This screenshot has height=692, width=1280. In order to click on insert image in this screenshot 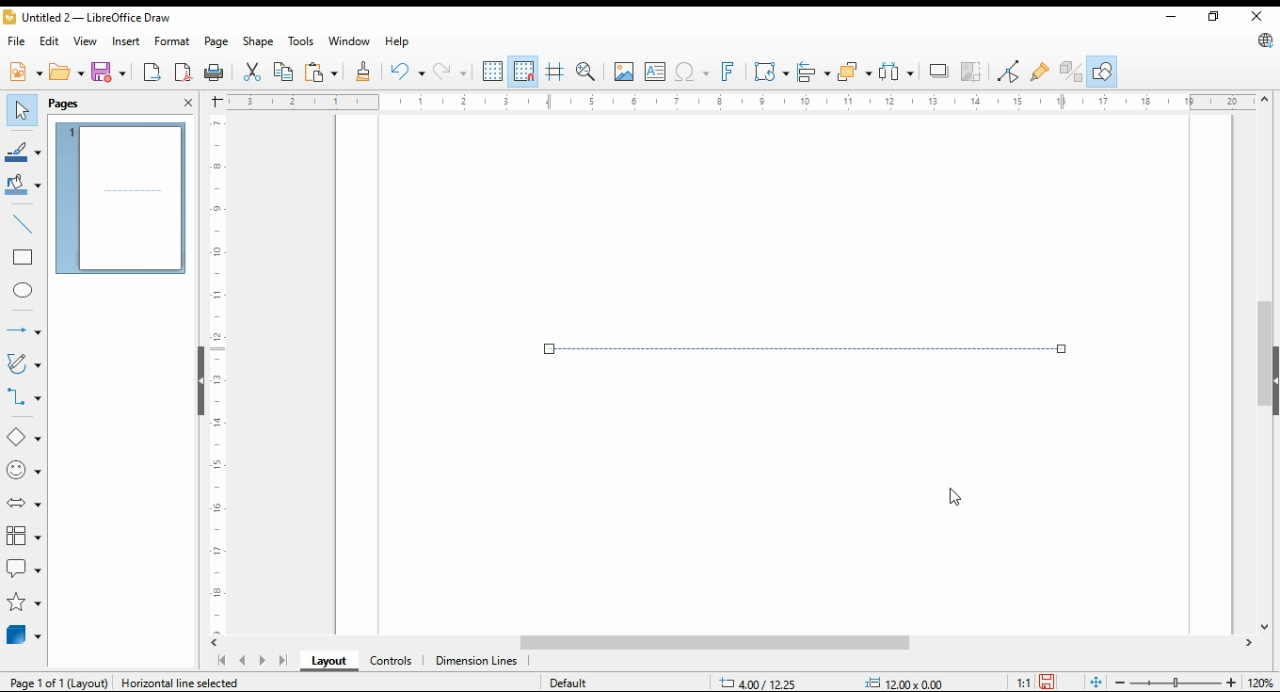, I will do `click(623, 71)`.